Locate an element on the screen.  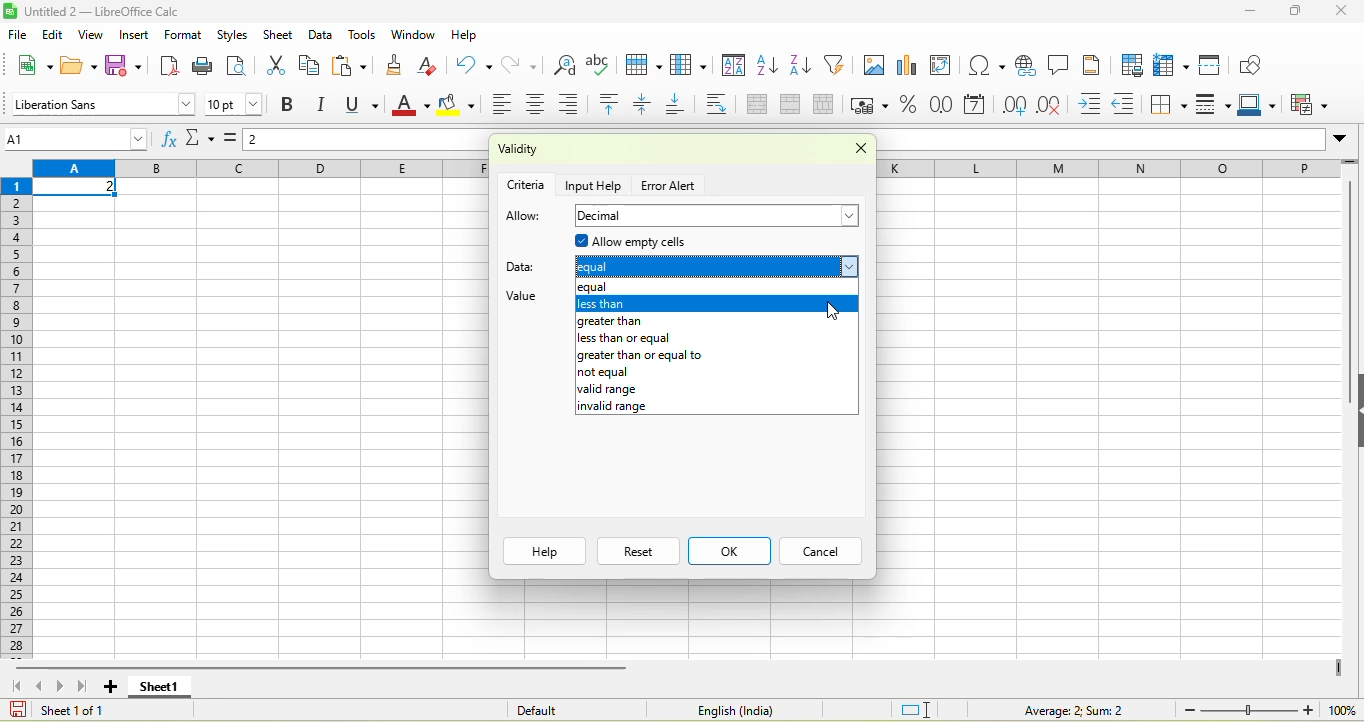
help is located at coordinates (464, 34).